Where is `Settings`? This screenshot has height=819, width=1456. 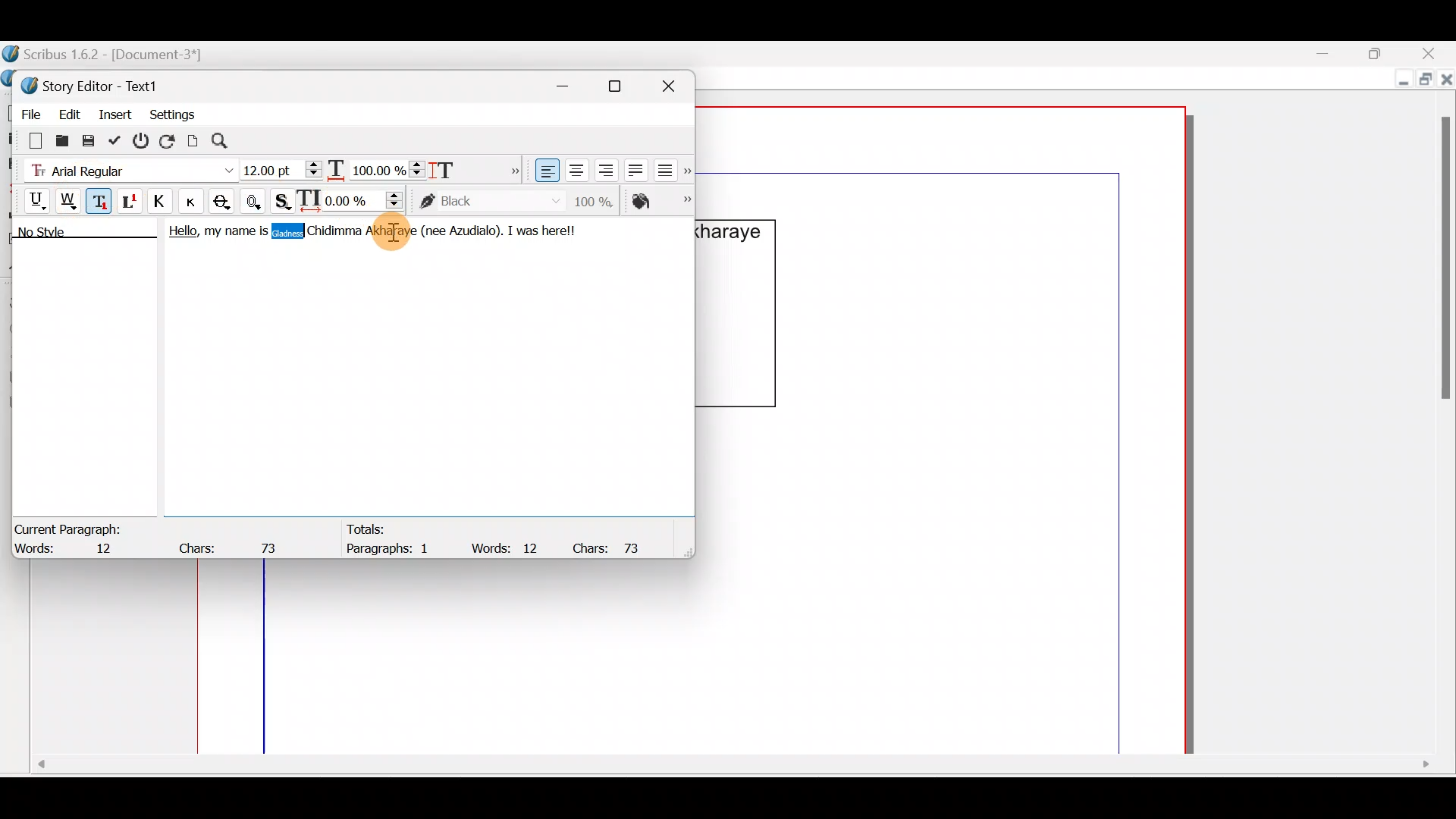
Settings is located at coordinates (172, 113).